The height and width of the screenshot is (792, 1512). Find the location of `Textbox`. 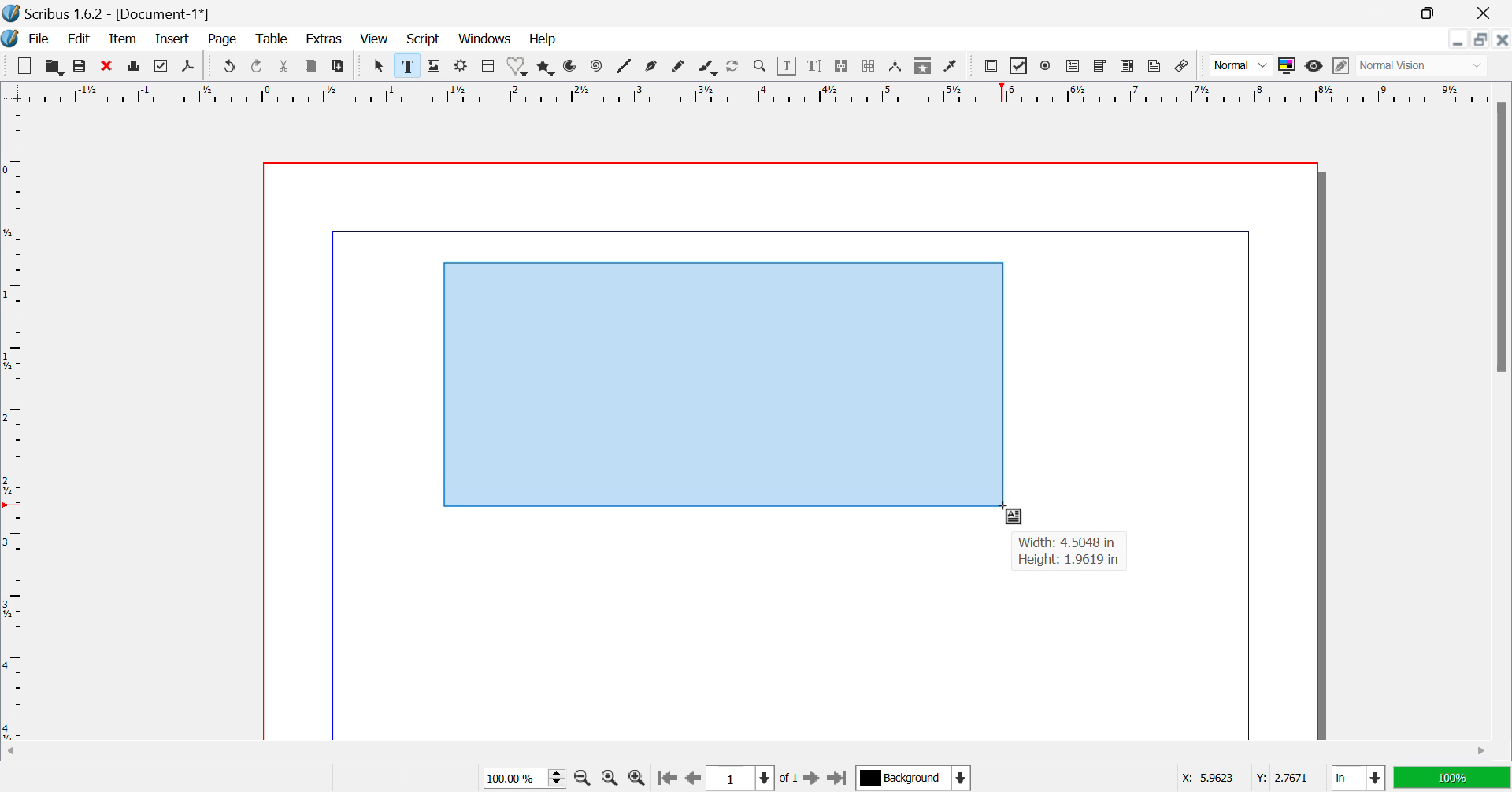

Textbox is located at coordinates (719, 383).